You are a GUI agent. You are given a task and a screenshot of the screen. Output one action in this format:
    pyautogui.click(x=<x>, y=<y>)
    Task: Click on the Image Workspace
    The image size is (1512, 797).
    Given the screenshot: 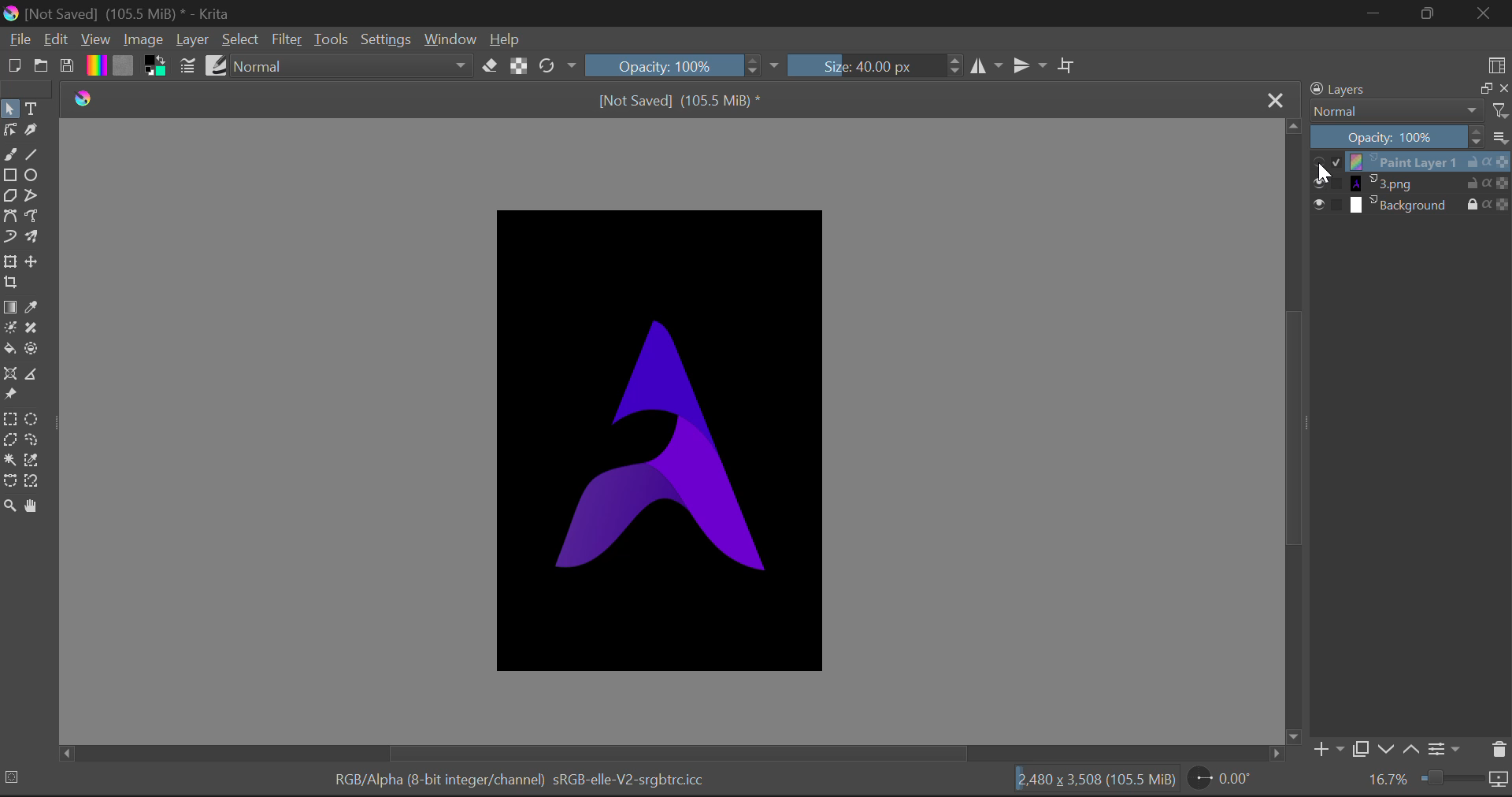 What is the action you would take?
    pyautogui.click(x=665, y=439)
    